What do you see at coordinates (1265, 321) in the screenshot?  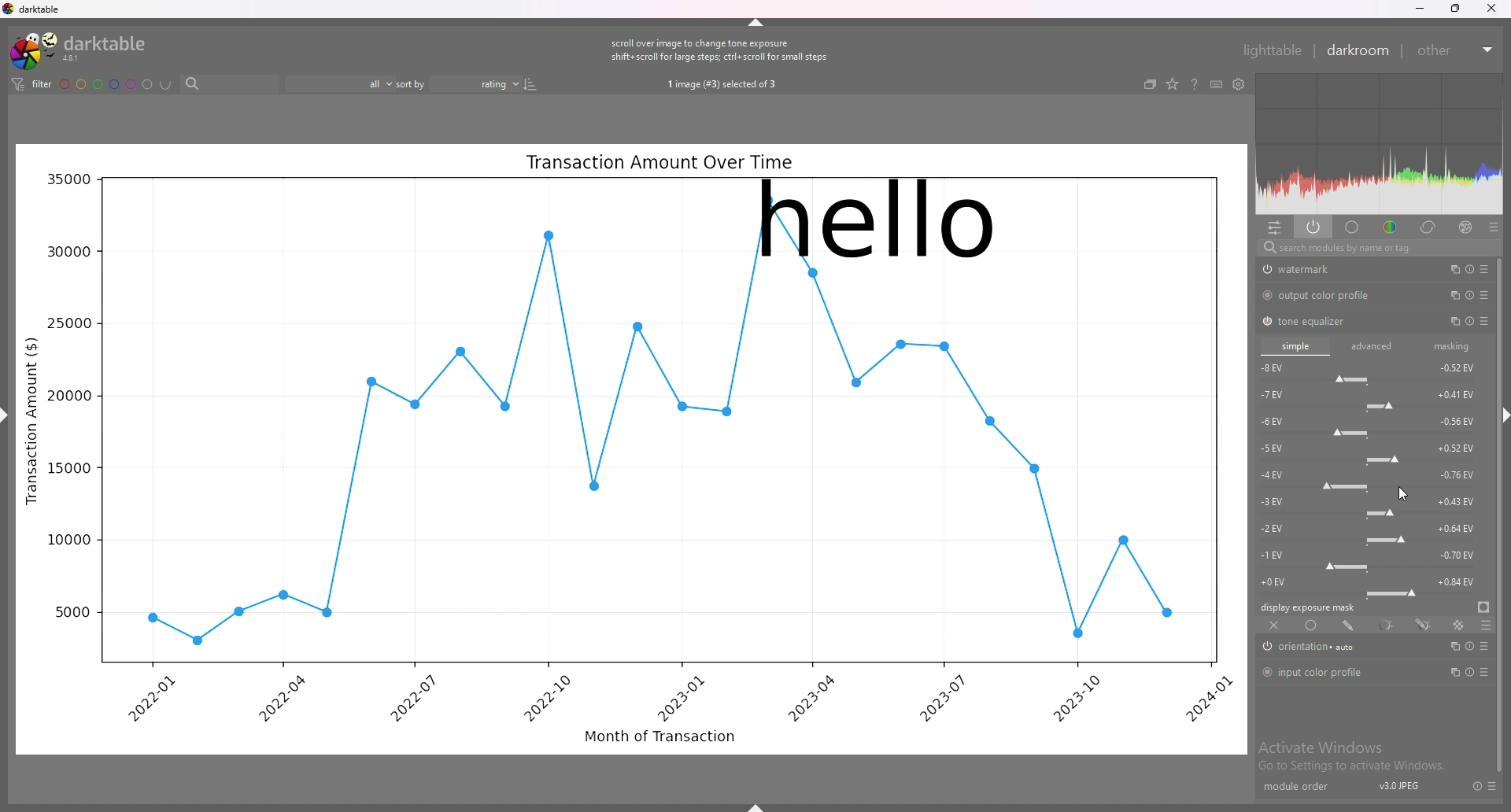 I see `switch off/on` at bounding box center [1265, 321].